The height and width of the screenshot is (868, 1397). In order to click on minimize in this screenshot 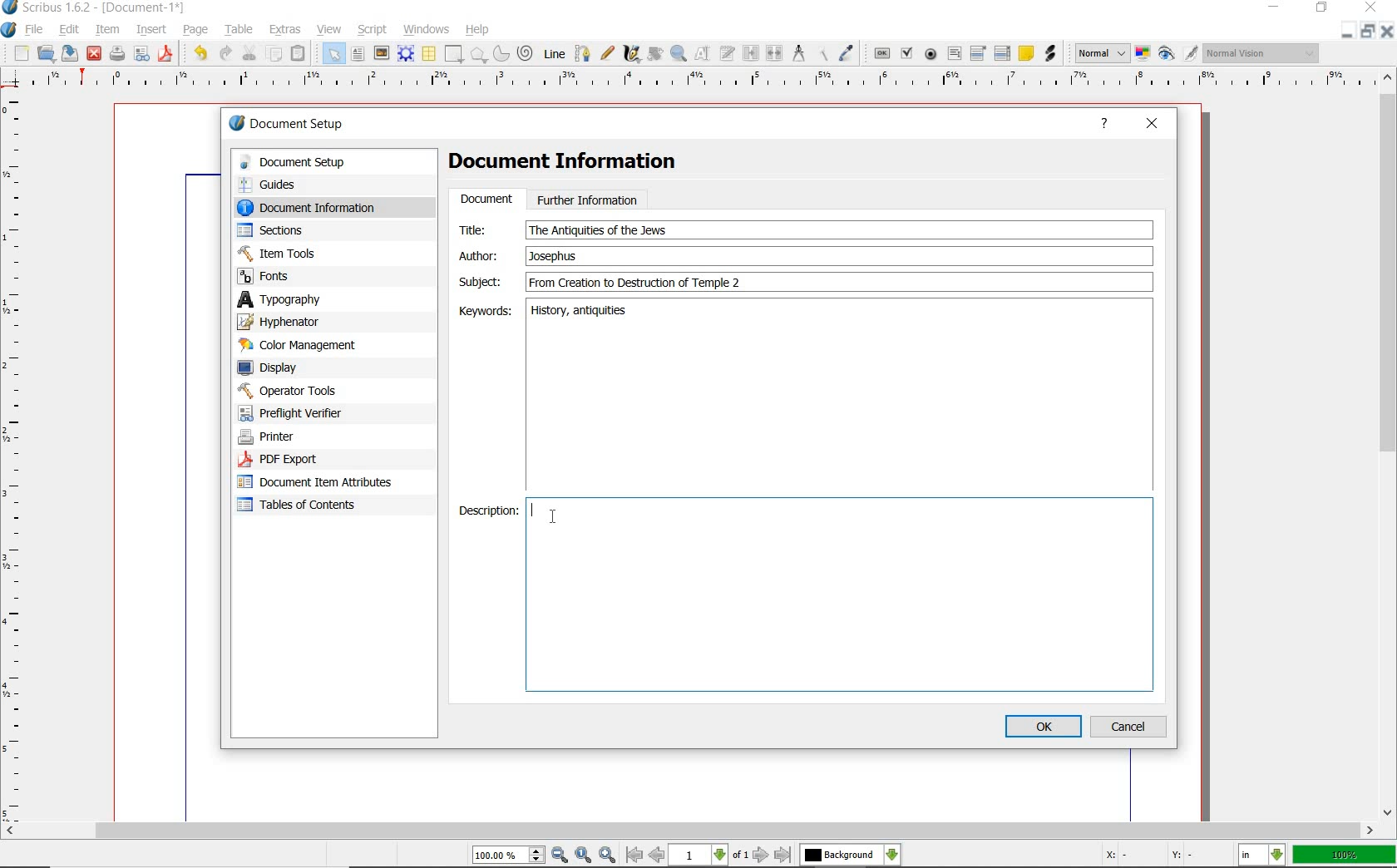, I will do `click(1272, 7)`.